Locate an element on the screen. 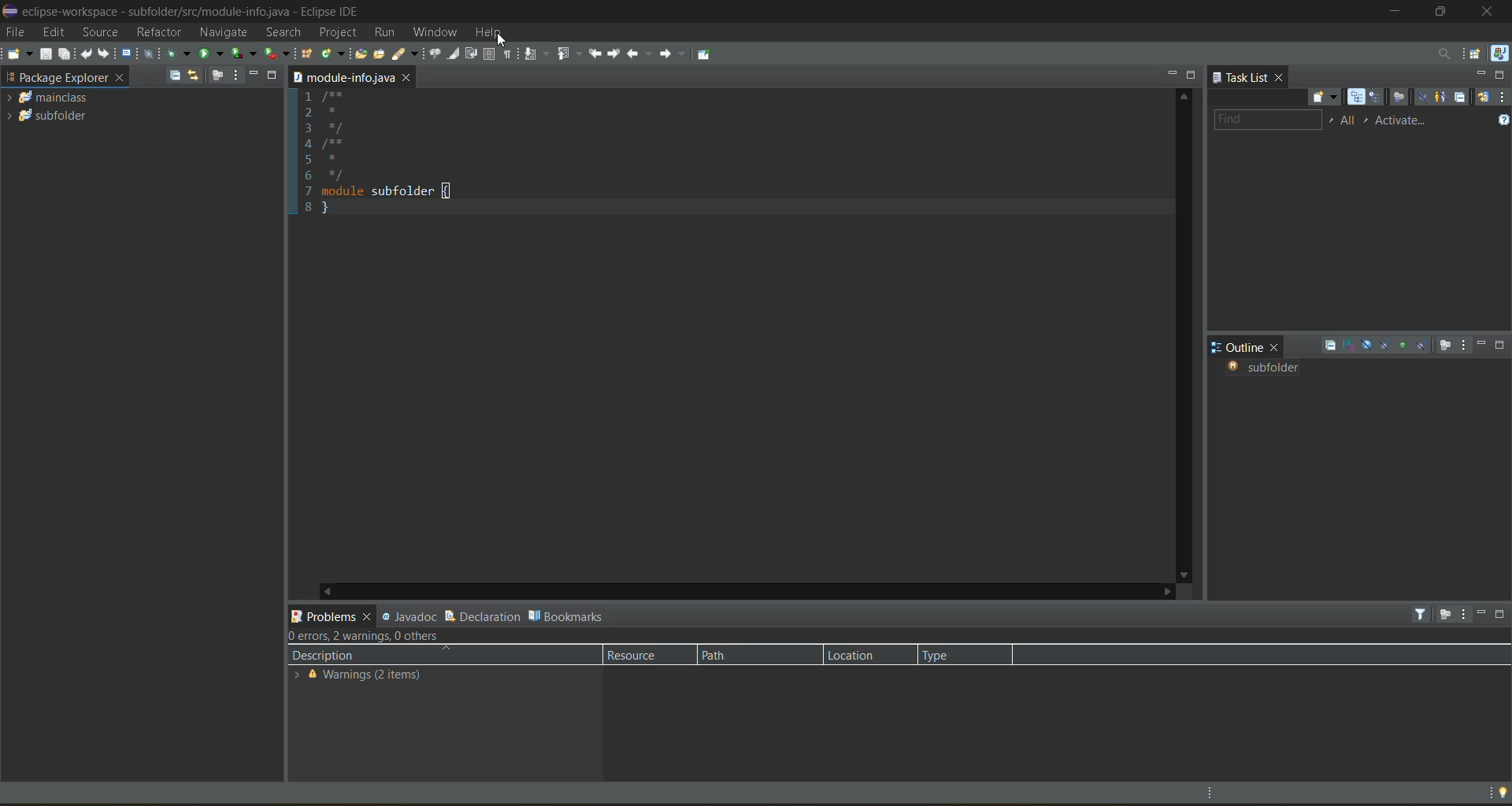 The width and height of the screenshot is (1512, 806). mainclass is located at coordinates (53, 98).